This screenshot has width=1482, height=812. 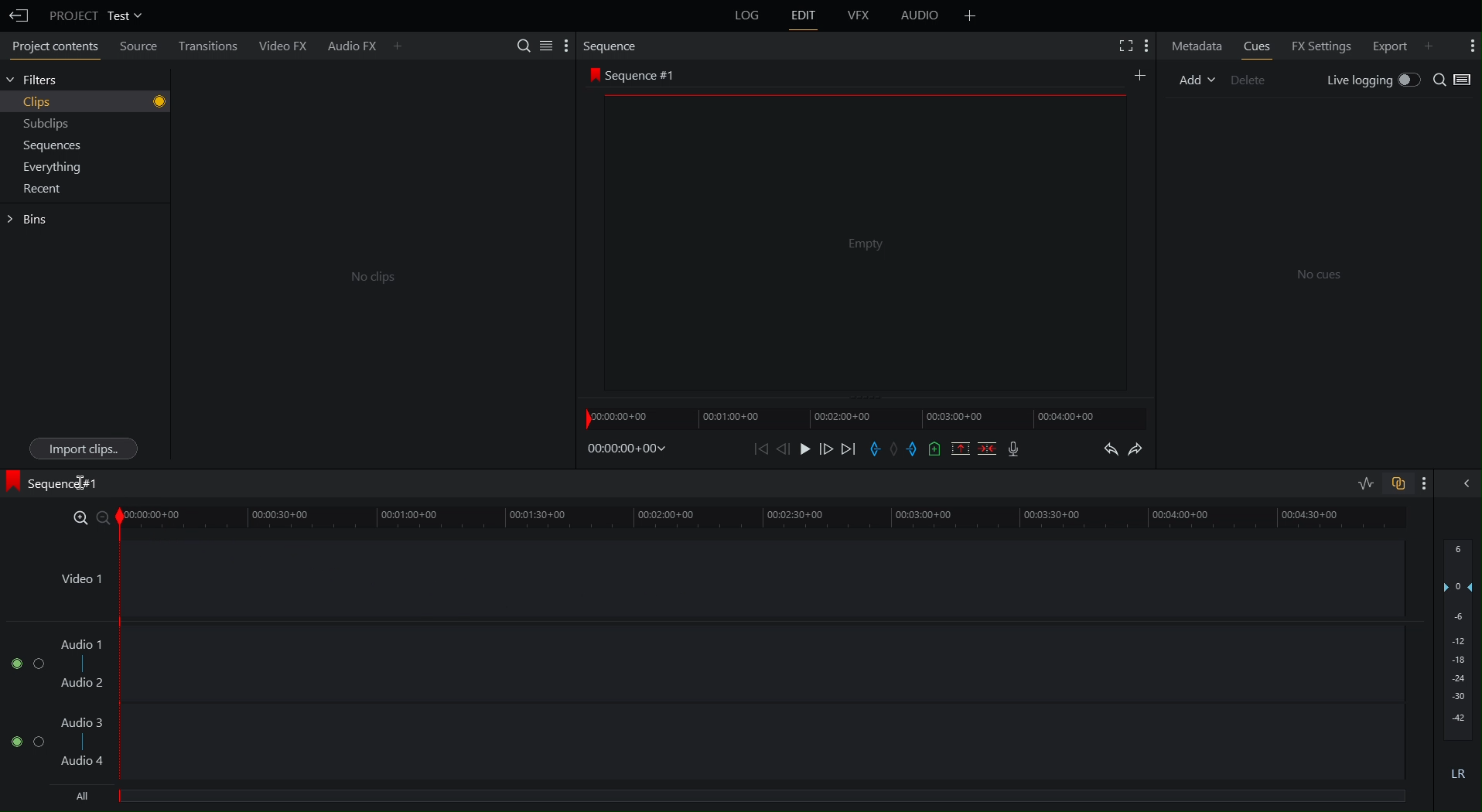 What do you see at coordinates (39, 192) in the screenshot?
I see `Recent` at bounding box center [39, 192].